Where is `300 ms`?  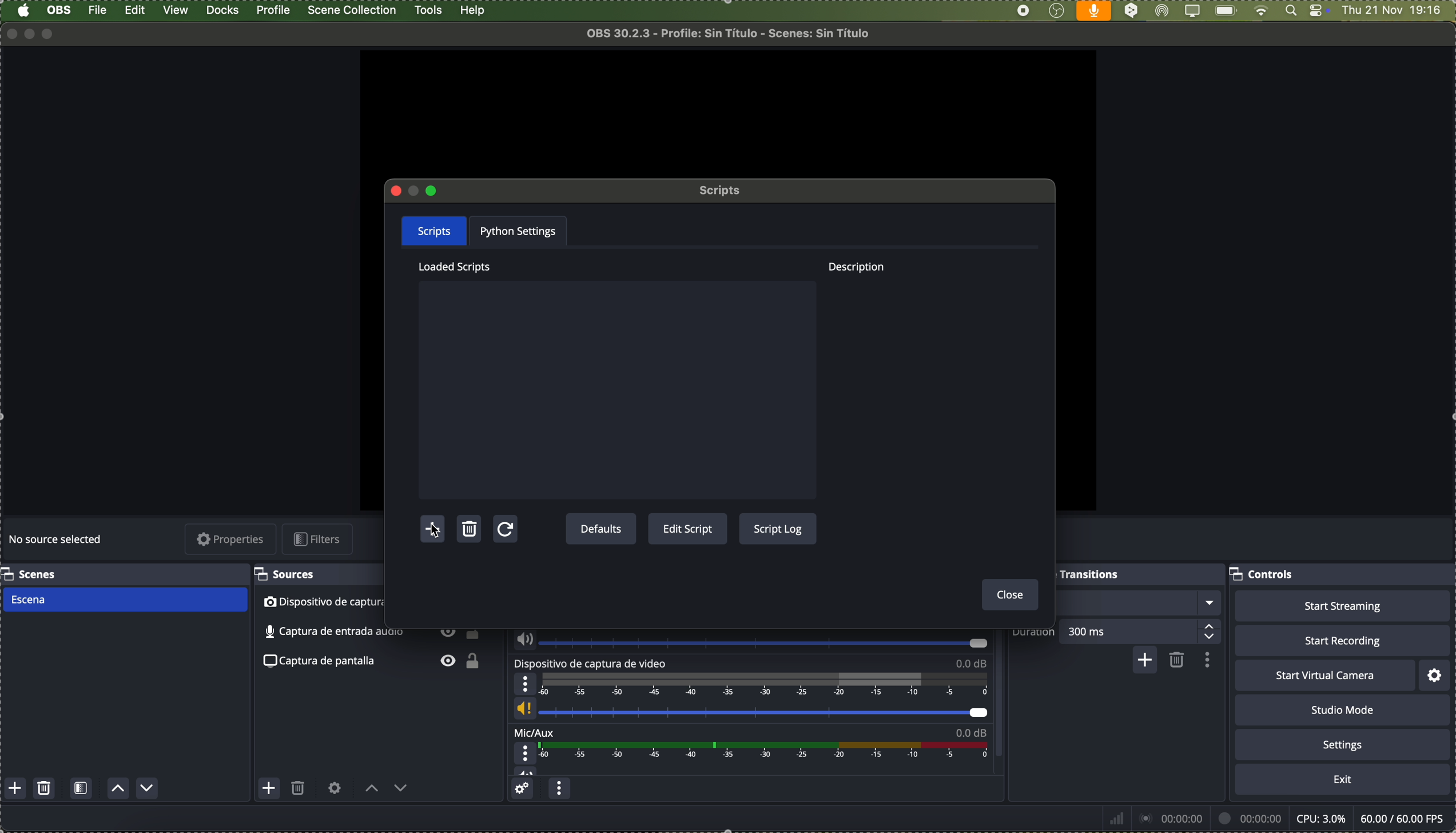 300 ms is located at coordinates (1144, 630).